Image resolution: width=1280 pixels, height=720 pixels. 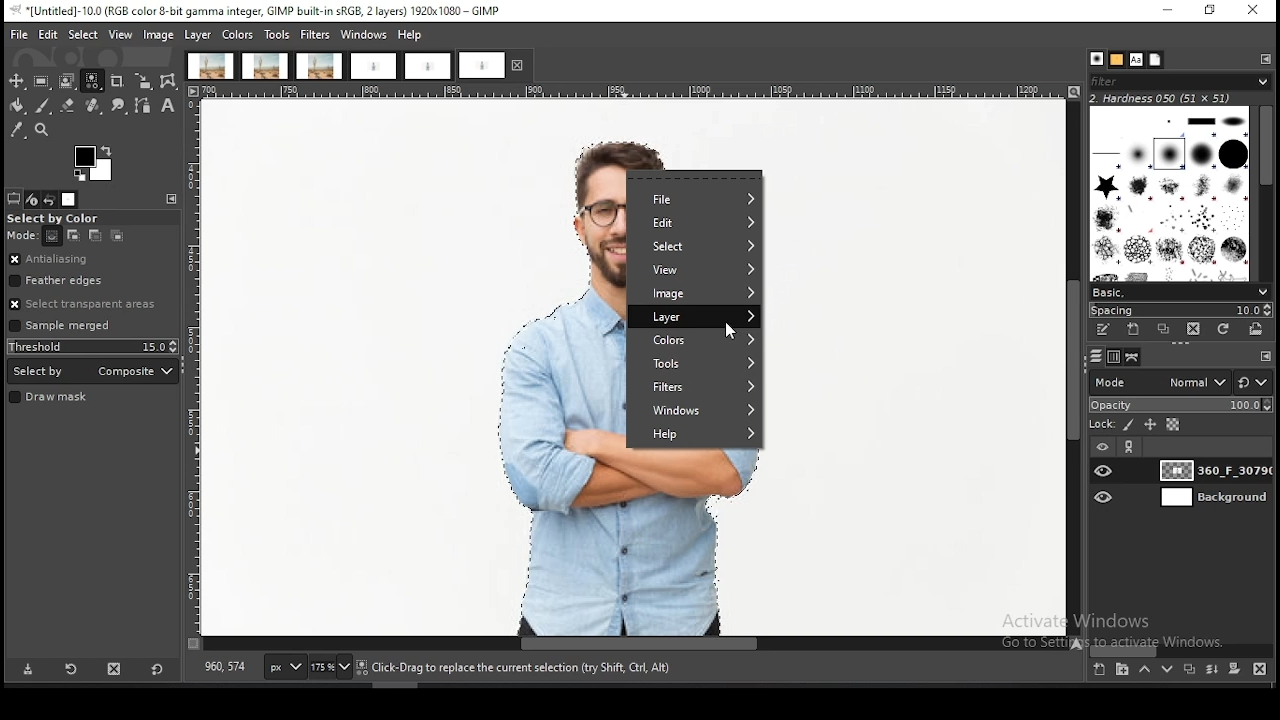 What do you see at coordinates (694, 436) in the screenshot?
I see `help` at bounding box center [694, 436].